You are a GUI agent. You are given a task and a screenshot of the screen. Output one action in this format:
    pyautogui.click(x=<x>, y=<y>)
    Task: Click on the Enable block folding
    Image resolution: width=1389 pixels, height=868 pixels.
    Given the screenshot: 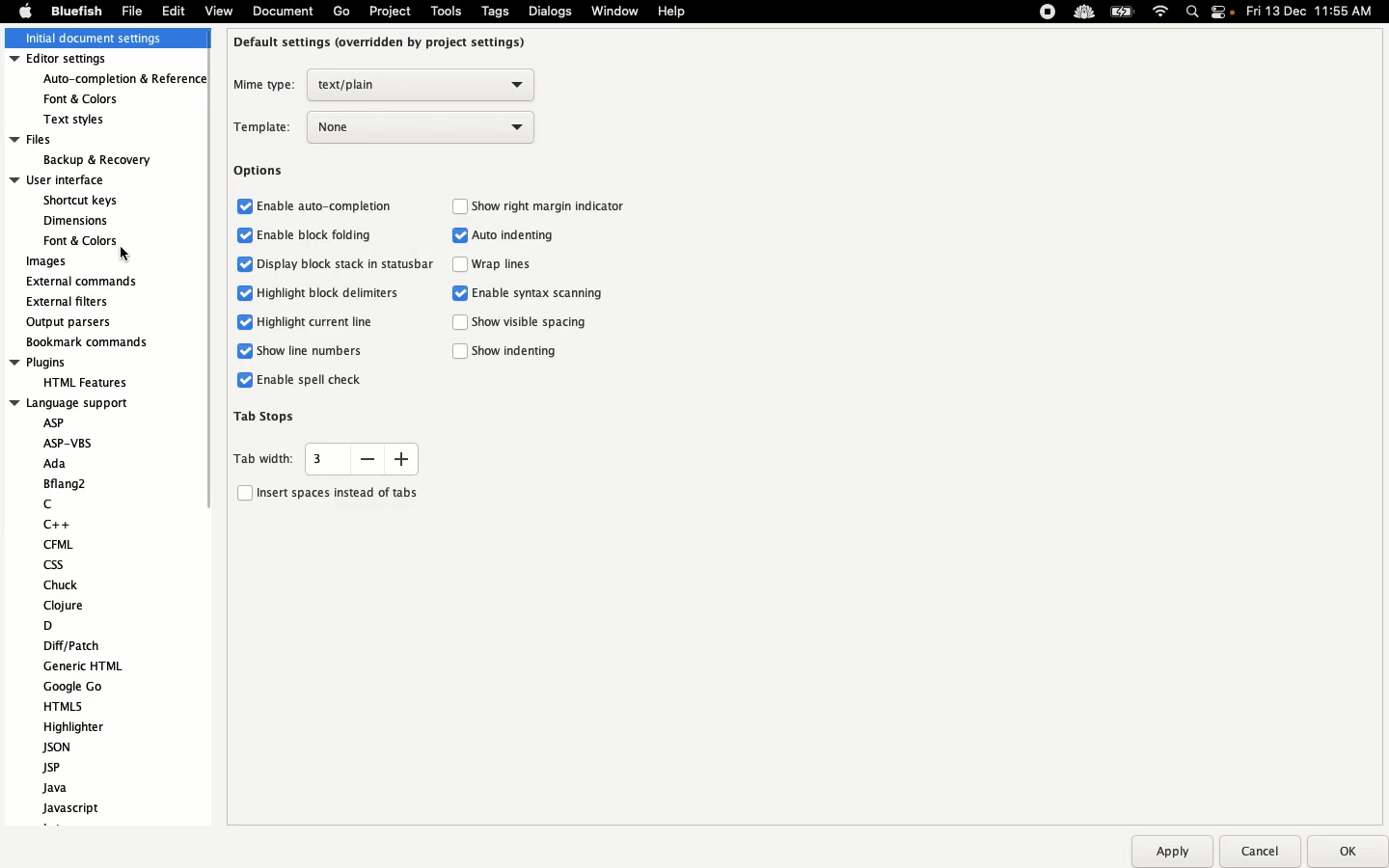 What is the action you would take?
    pyautogui.click(x=306, y=235)
    